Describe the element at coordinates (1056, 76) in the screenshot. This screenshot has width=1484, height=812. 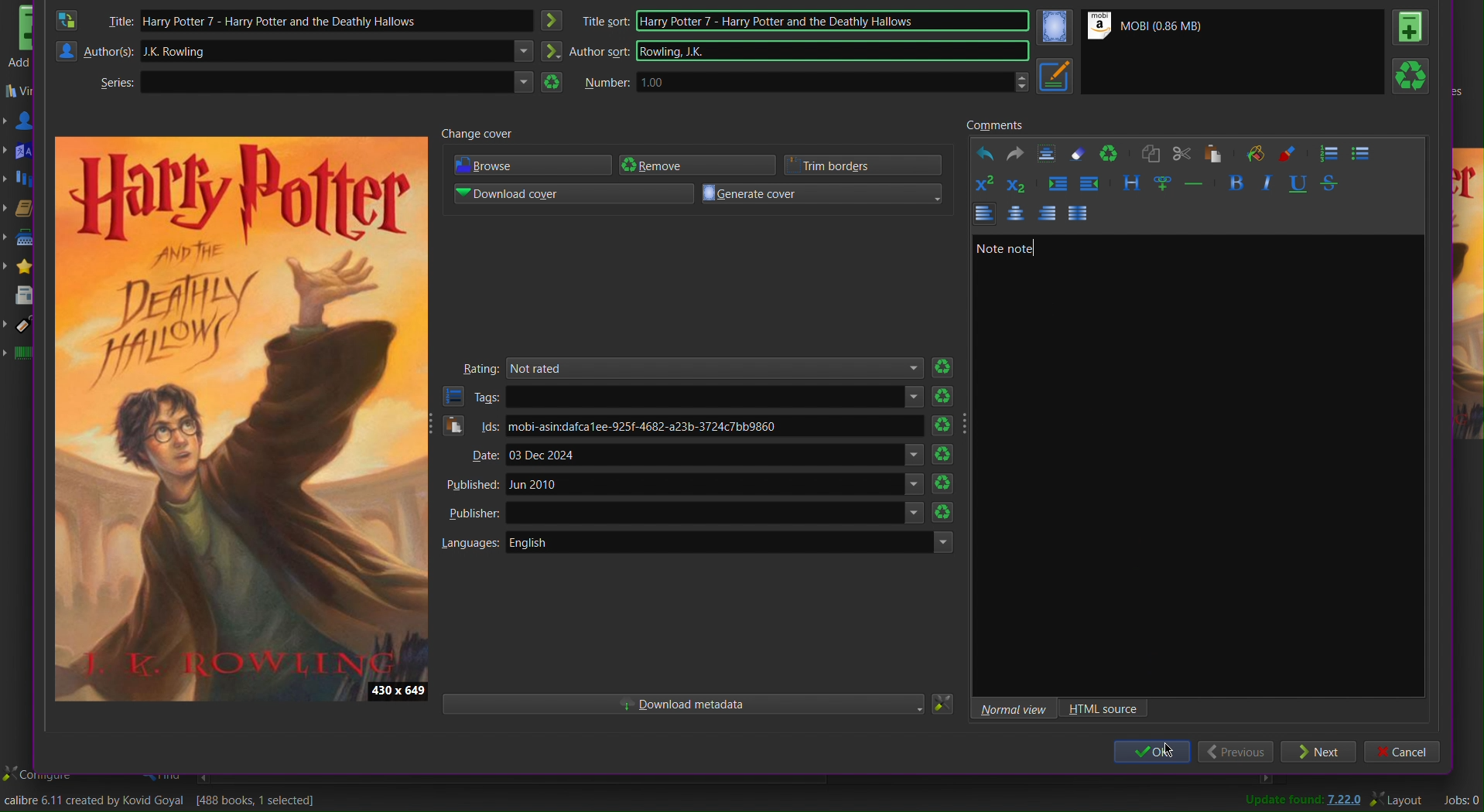
I see `Metadata` at that location.